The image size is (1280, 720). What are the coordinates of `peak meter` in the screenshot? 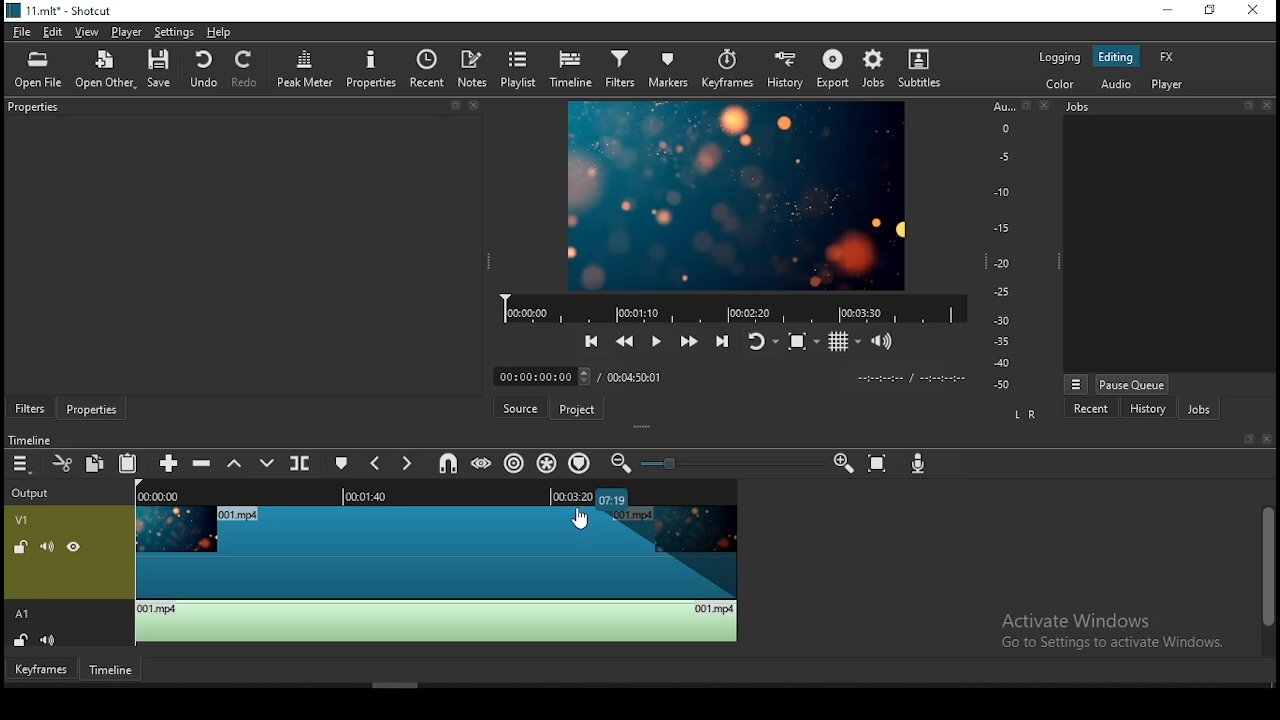 It's located at (304, 69).